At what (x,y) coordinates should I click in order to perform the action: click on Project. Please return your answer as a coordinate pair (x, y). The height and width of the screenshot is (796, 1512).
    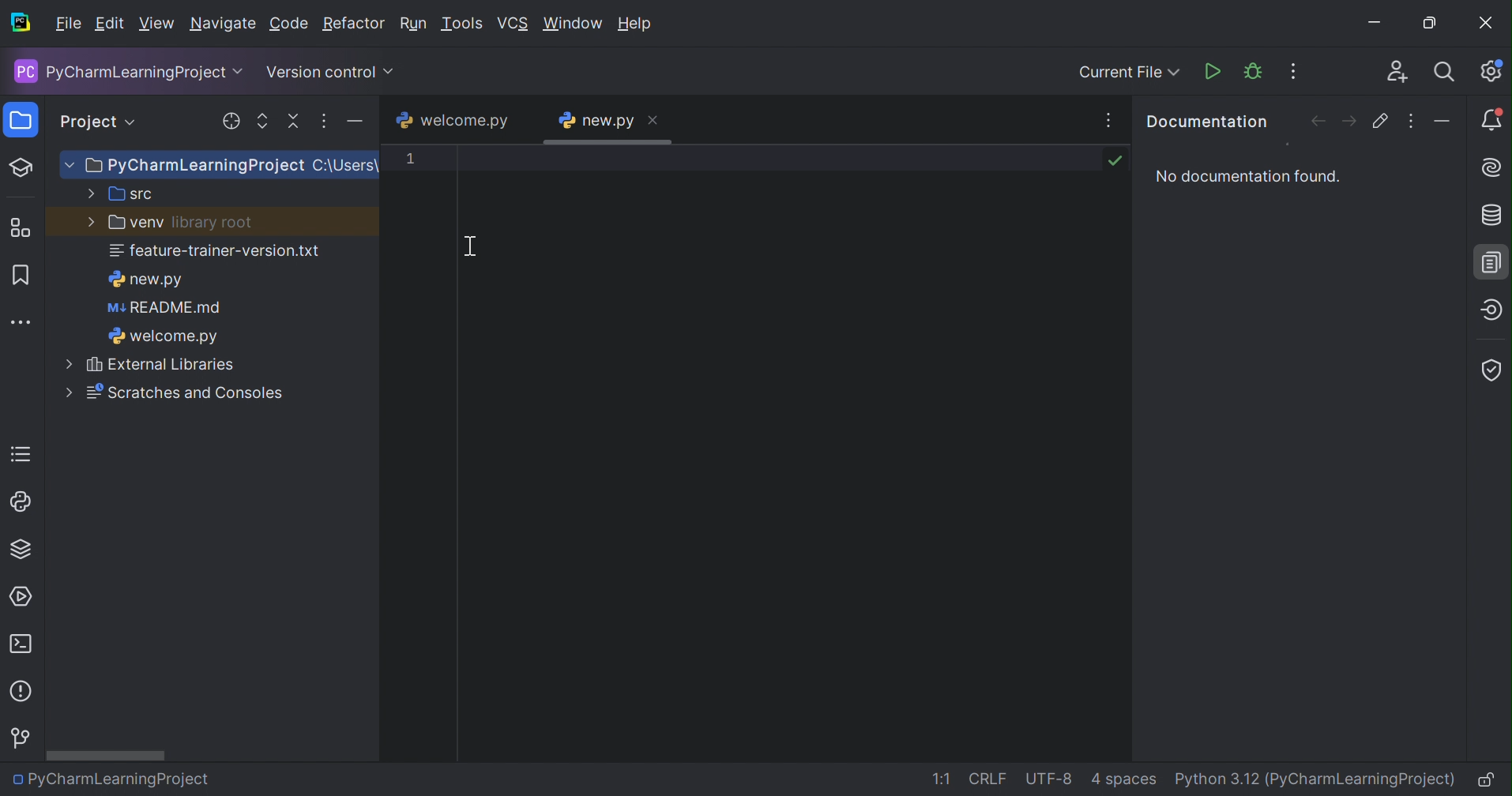
    Looking at the image, I should click on (88, 119).